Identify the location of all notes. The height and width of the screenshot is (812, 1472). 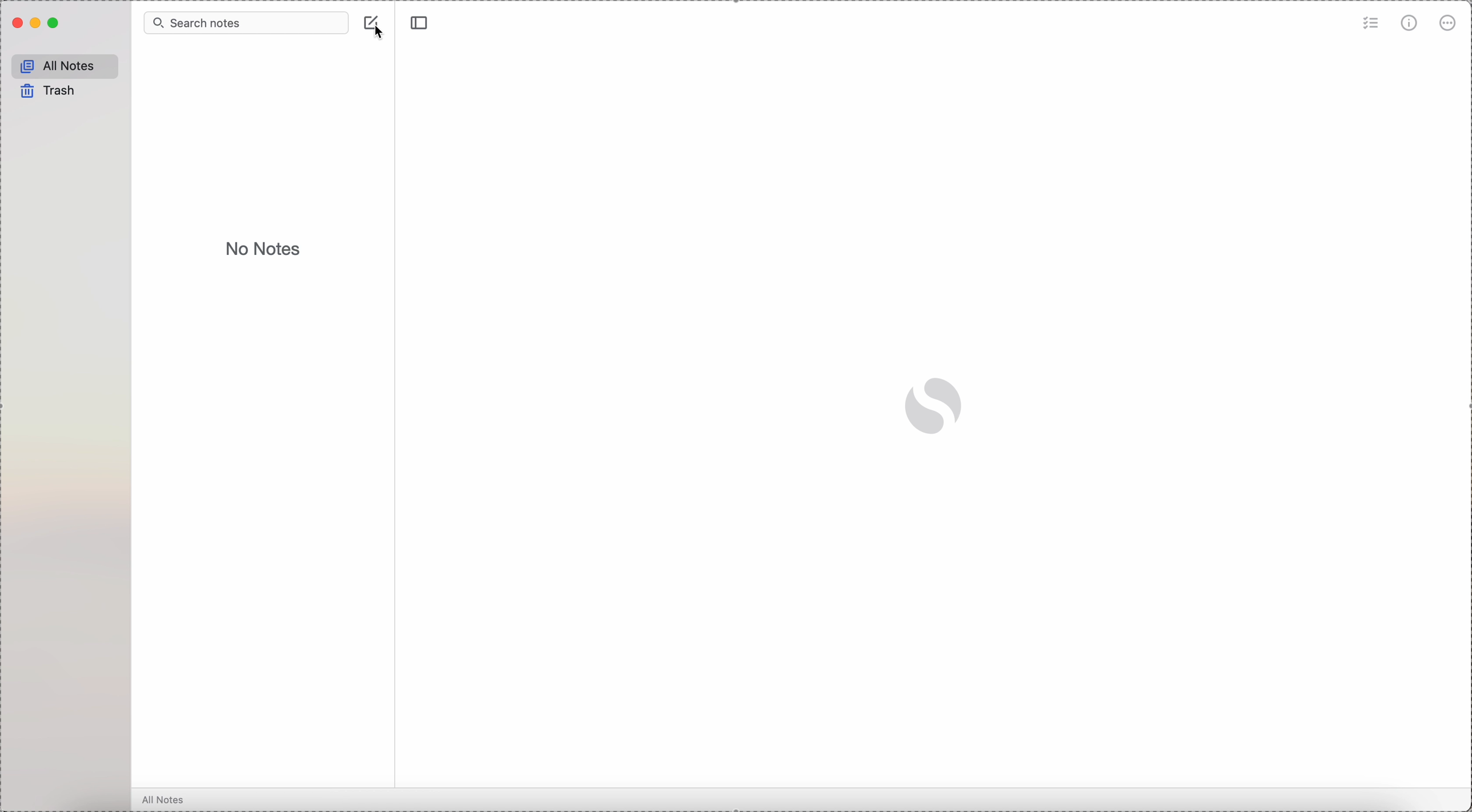
(167, 799).